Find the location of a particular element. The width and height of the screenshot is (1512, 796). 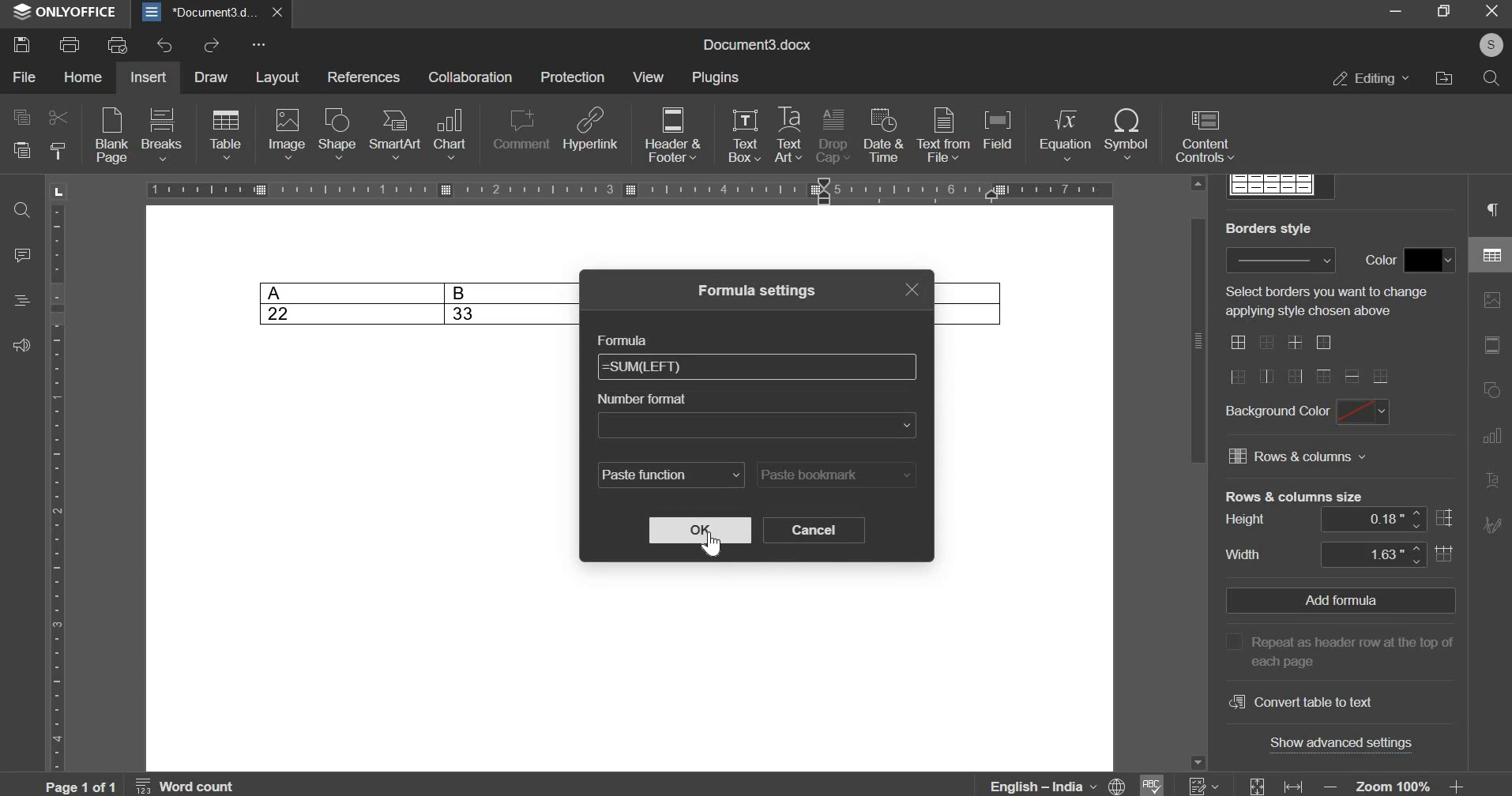

convert table to text is located at coordinates (1299, 700).